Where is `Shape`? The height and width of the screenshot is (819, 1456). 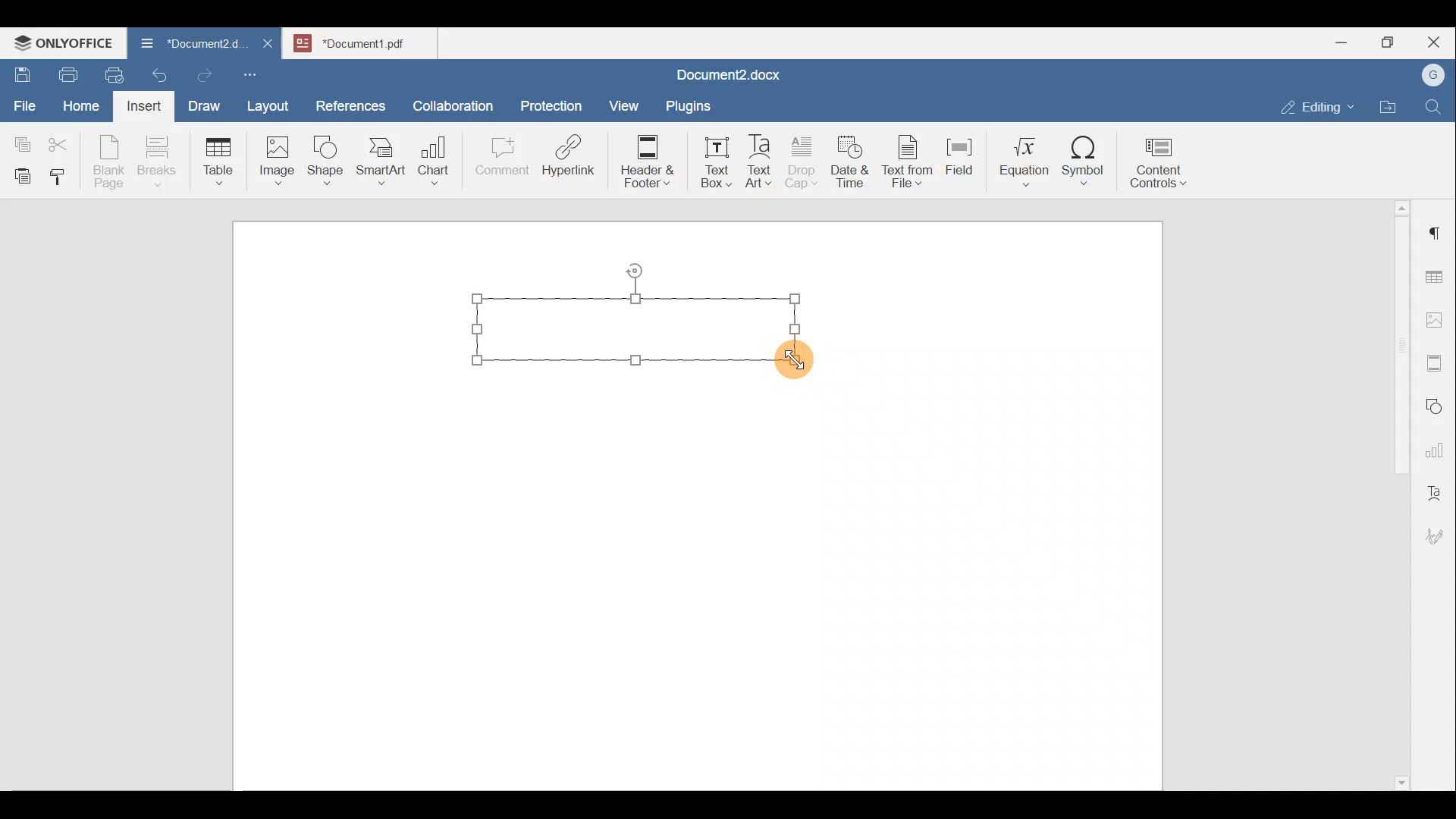 Shape is located at coordinates (327, 153).